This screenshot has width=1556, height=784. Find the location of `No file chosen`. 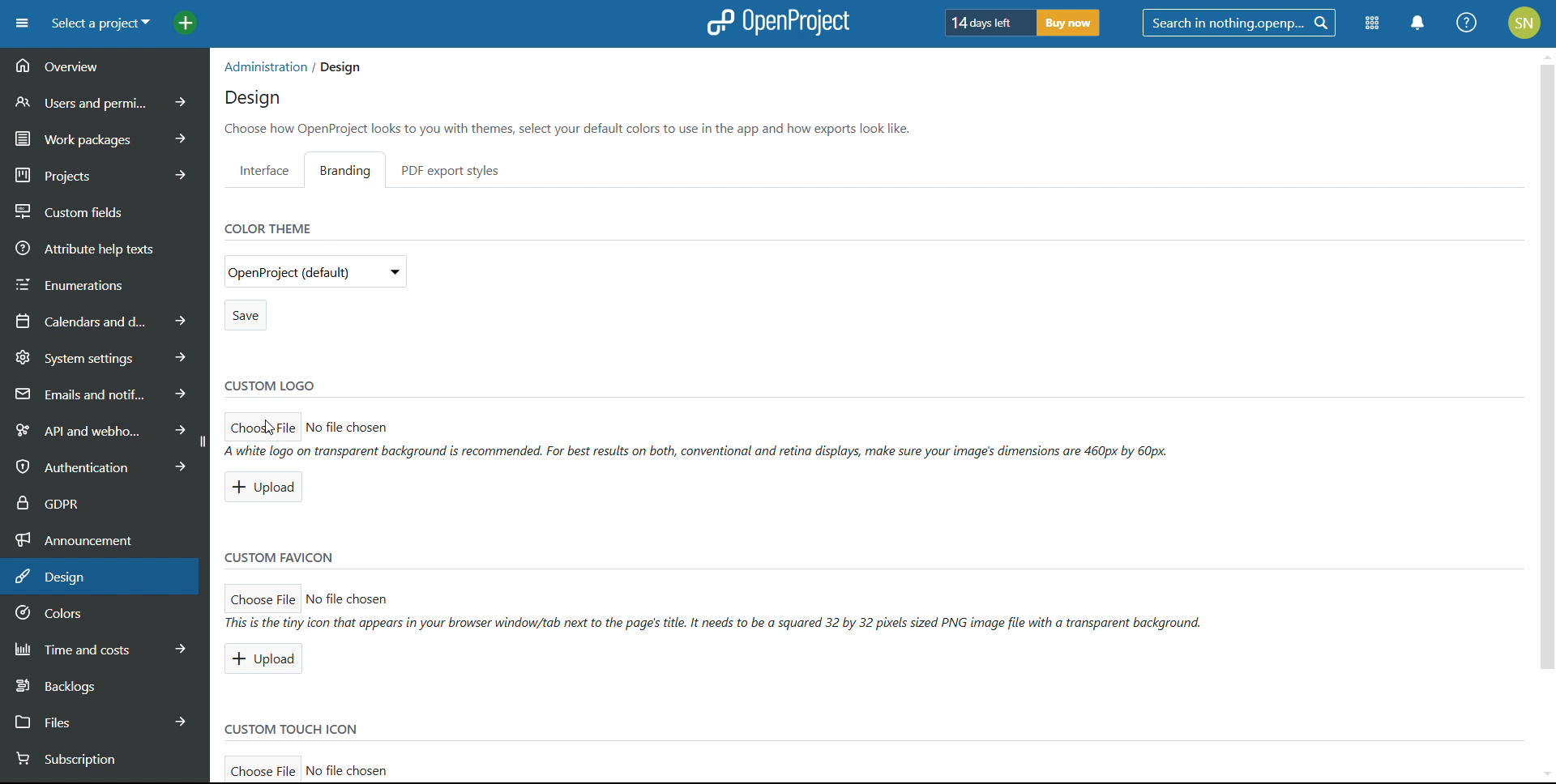

No file chosen is located at coordinates (356, 425).